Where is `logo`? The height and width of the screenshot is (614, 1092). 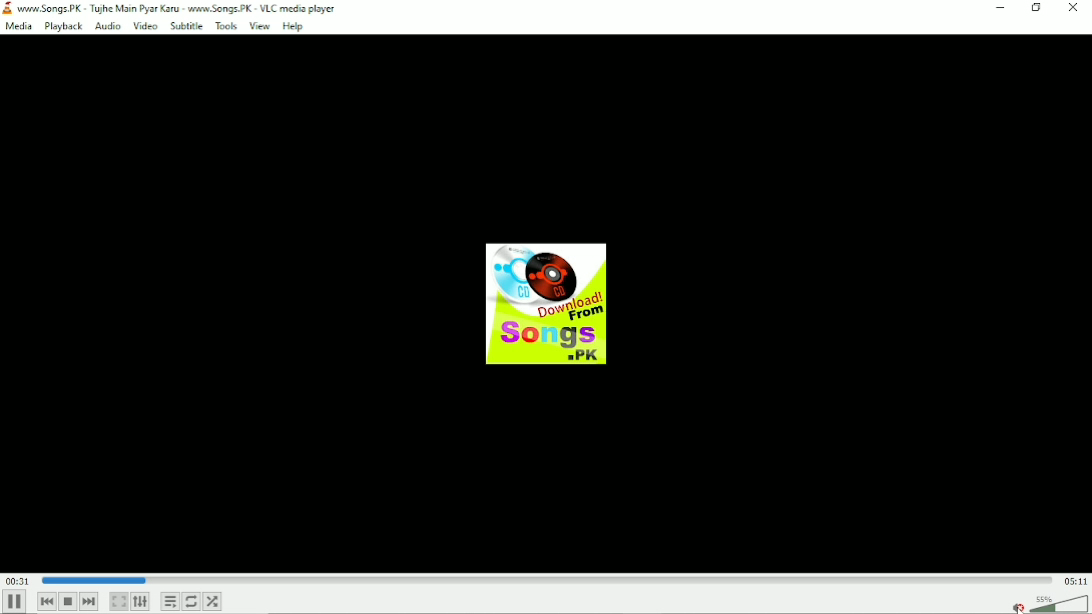 logo is located at coordinates (10, 7).